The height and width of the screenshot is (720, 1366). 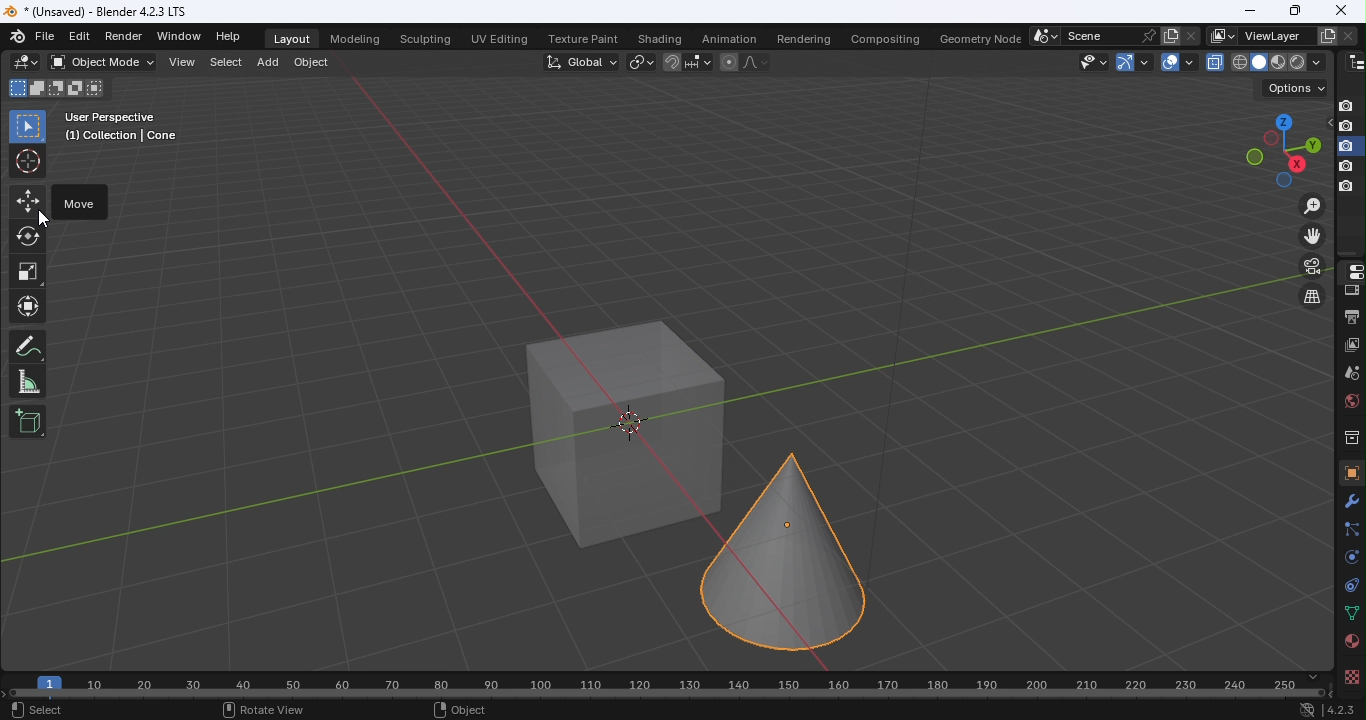 I want to click on Rotate the view, so click(x=1254, y=157).